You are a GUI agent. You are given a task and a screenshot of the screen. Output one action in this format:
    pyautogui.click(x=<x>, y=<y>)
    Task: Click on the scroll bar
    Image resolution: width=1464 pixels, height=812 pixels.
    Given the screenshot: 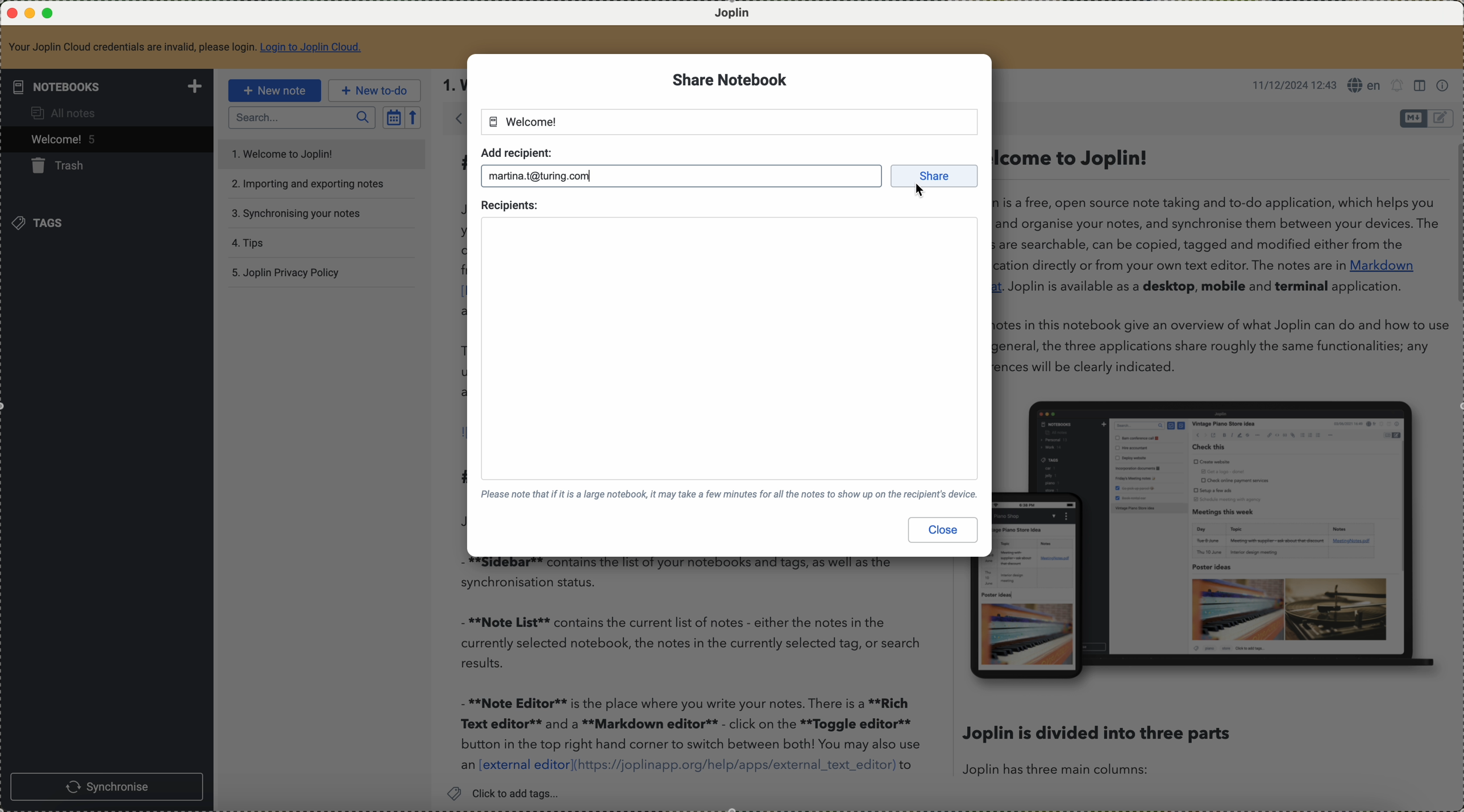 What is the action you would take?
    pyautogui.click(x=1455, y=225)
    